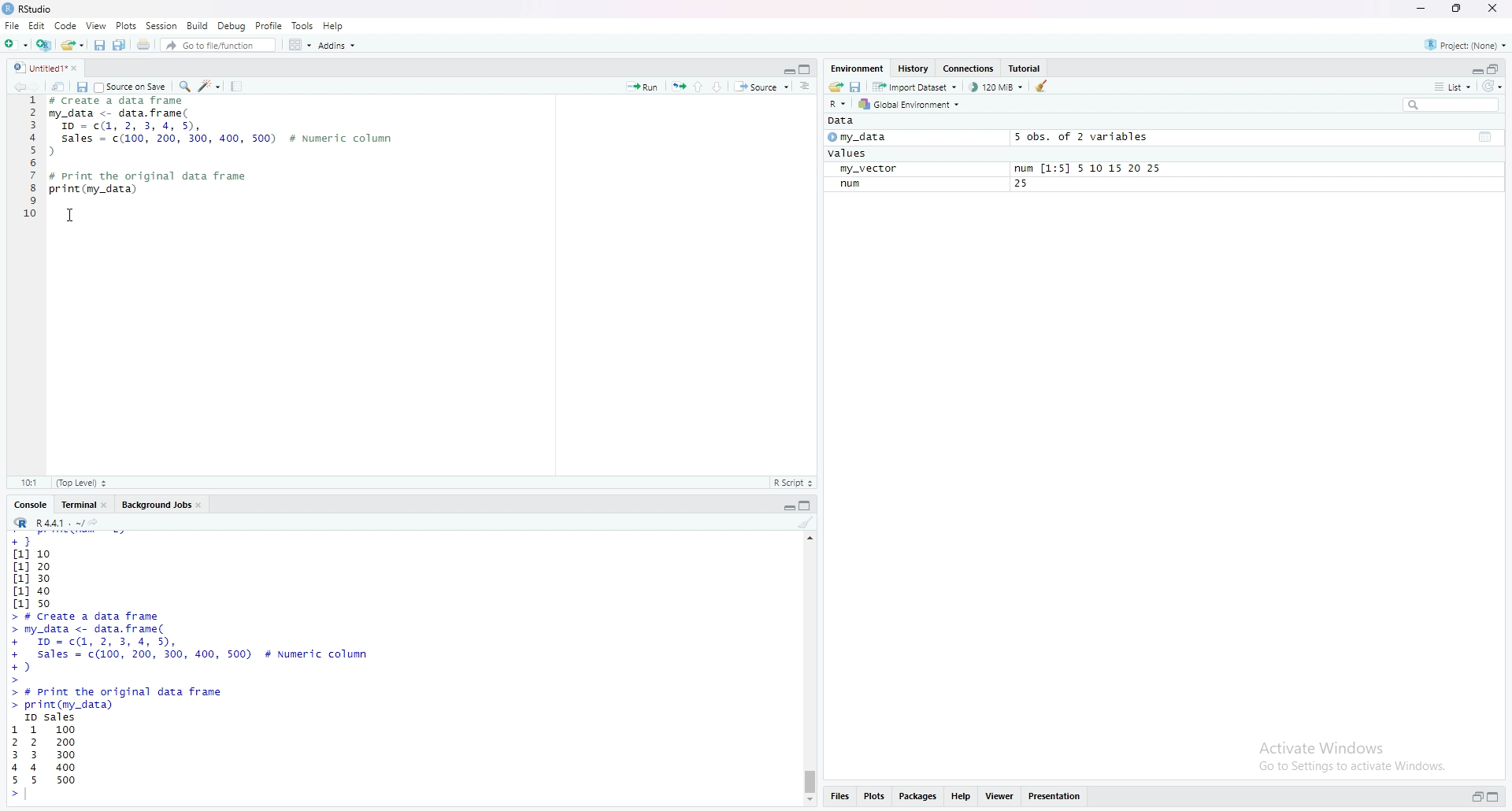 The height and width of the screenshot is (811, 1512). I want to click on sales and ID data frame, so click(224, 135).